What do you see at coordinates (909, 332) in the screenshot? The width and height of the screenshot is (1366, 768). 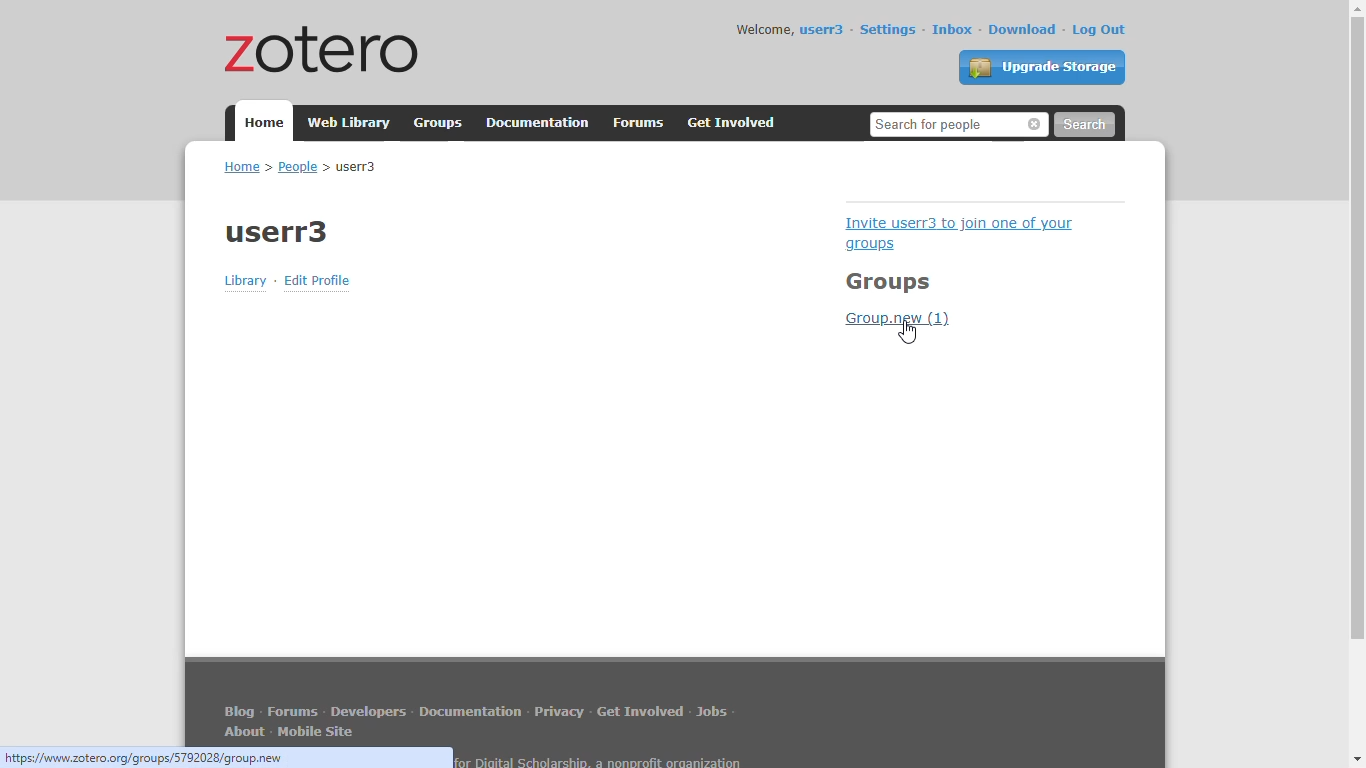 I see `cursor` at bounding box center [909, 332].